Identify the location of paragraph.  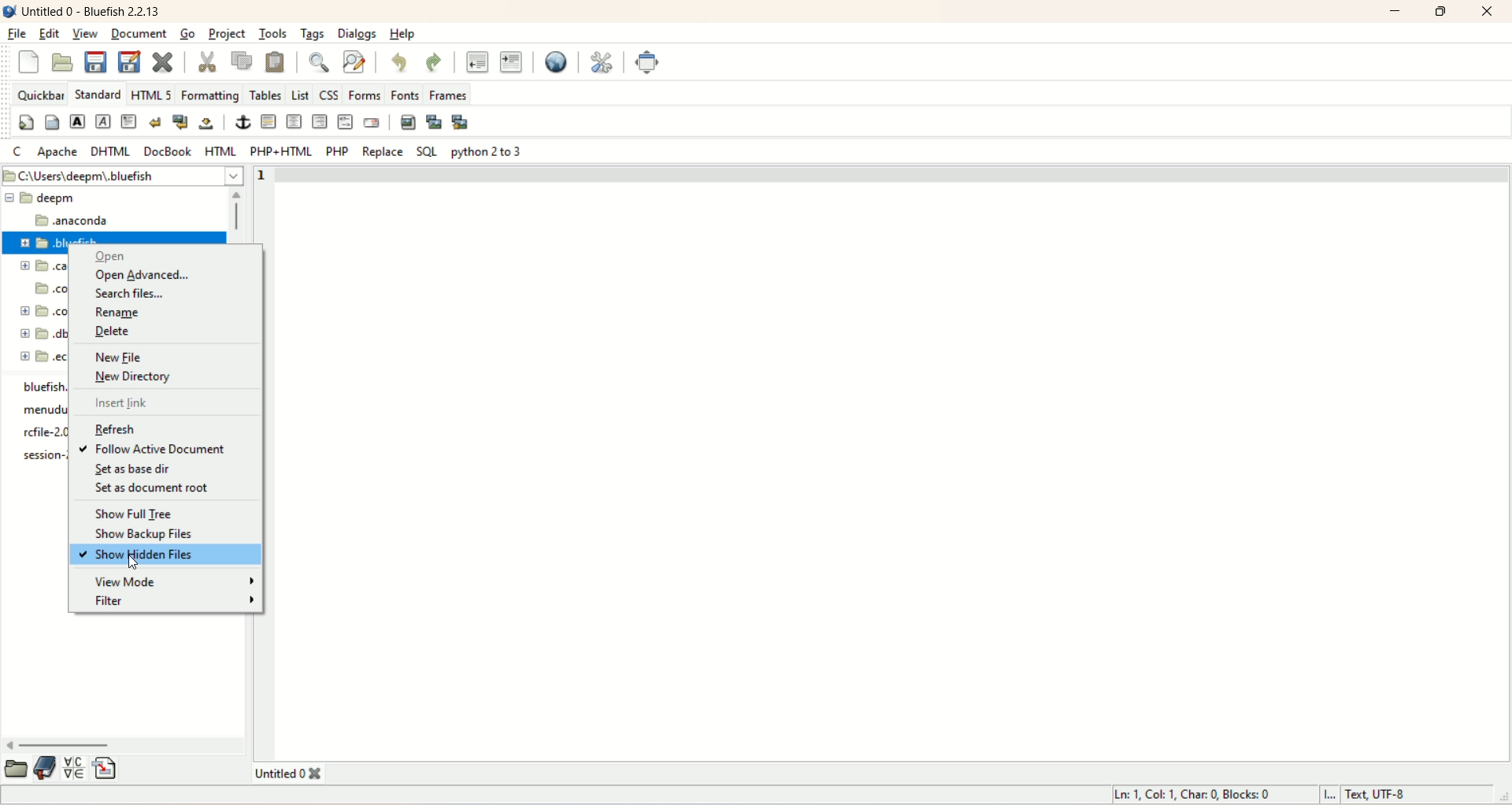
(132, 121).